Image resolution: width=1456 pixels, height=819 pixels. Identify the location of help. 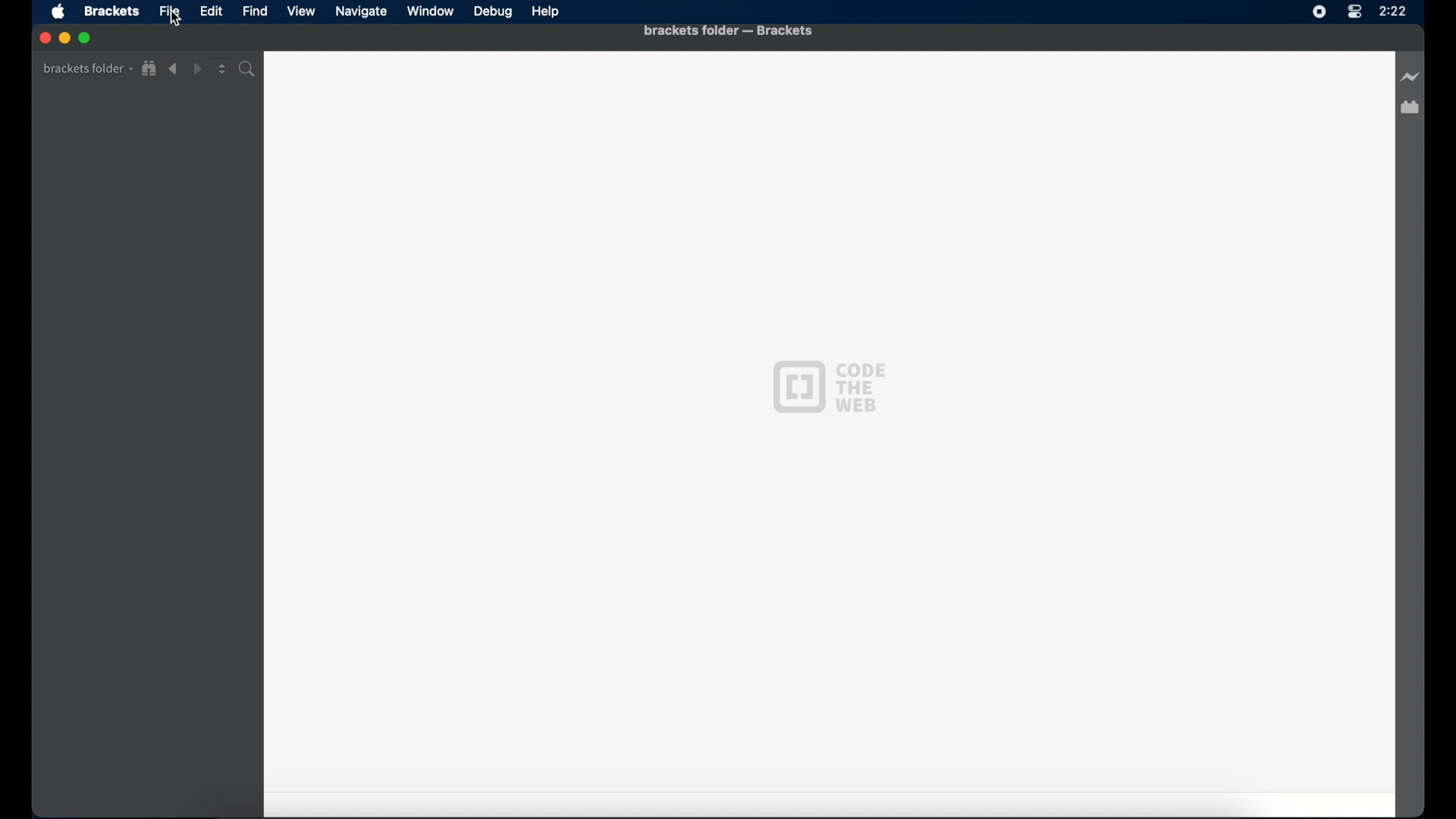
(546, 12).